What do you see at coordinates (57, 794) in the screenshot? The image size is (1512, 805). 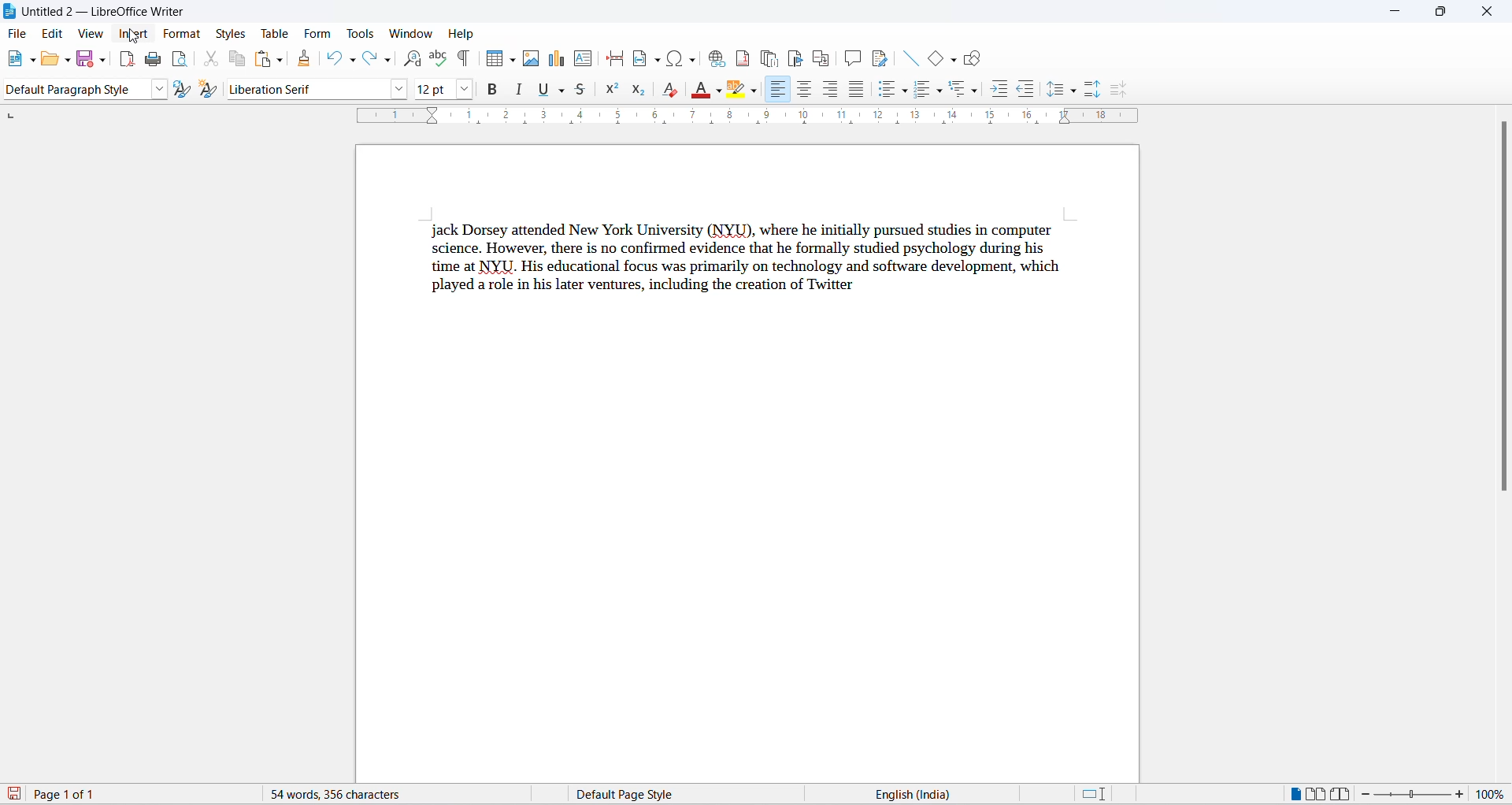 I see `Page 1 of 1` at bounding box center [57, 794].